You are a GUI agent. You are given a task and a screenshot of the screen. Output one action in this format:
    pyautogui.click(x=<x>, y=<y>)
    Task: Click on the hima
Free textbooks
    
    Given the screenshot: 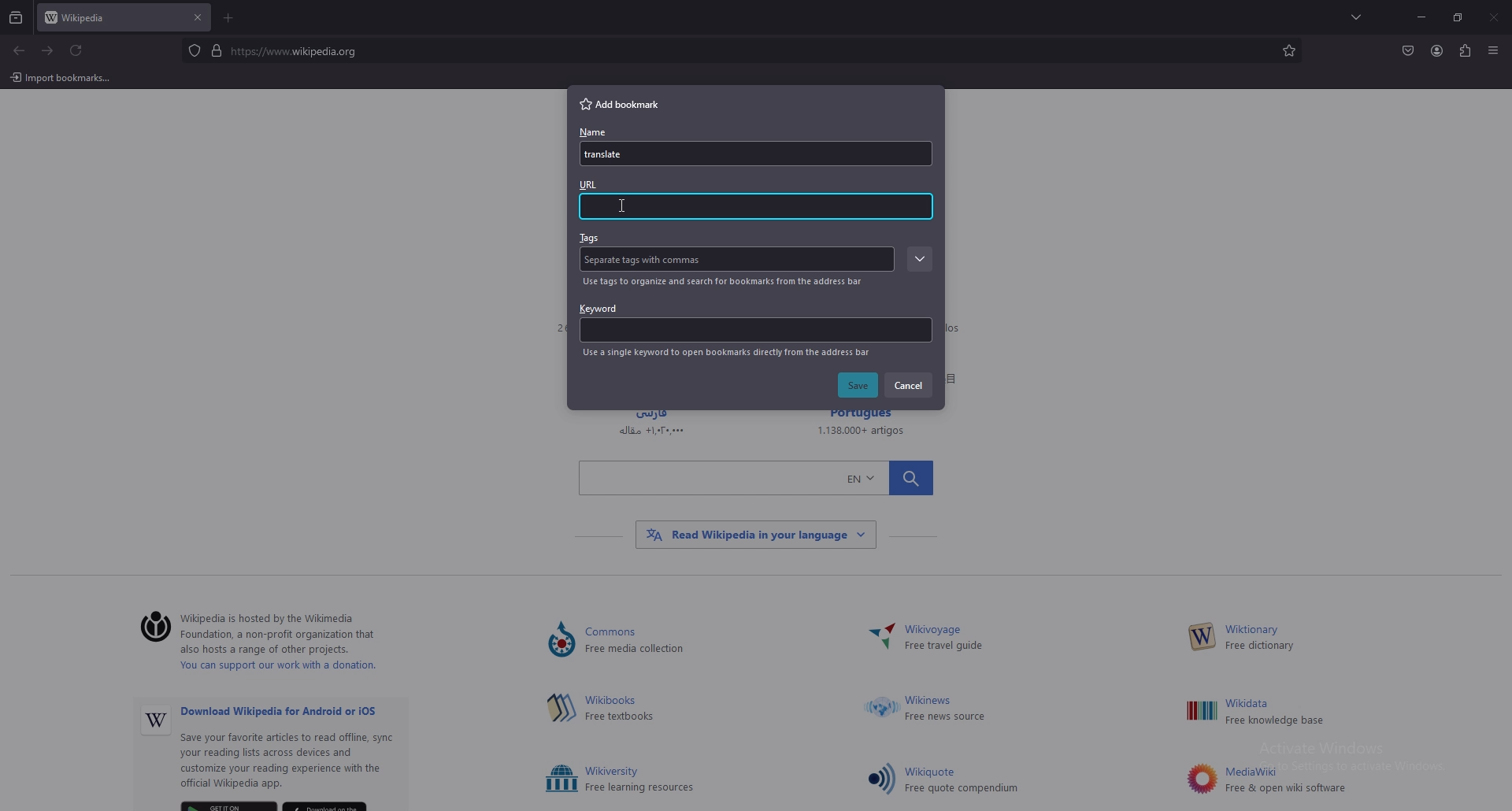 What is the action you would take?
    pyautogui.click(x=623, y=709)
    